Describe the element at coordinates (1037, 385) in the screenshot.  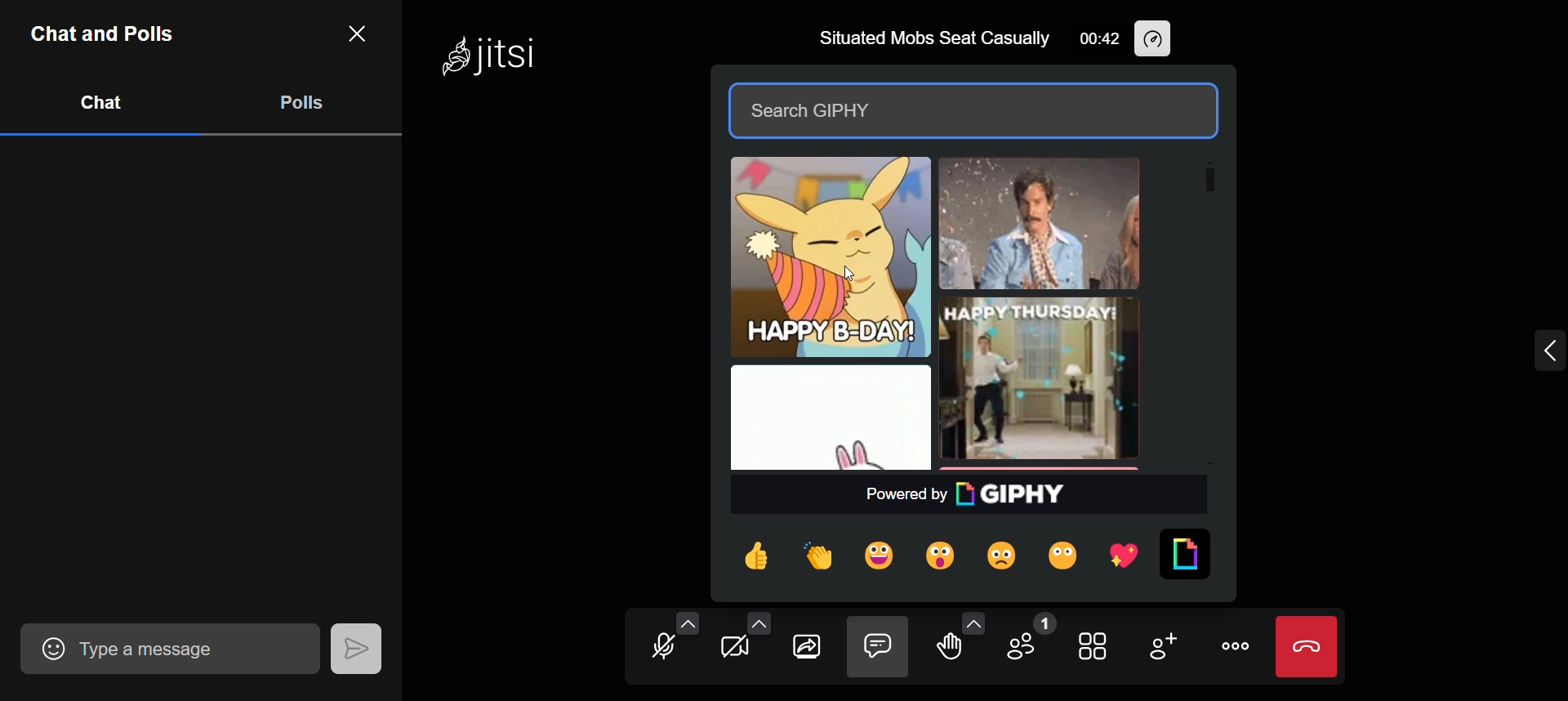
I see `other birthday gif` at that location.